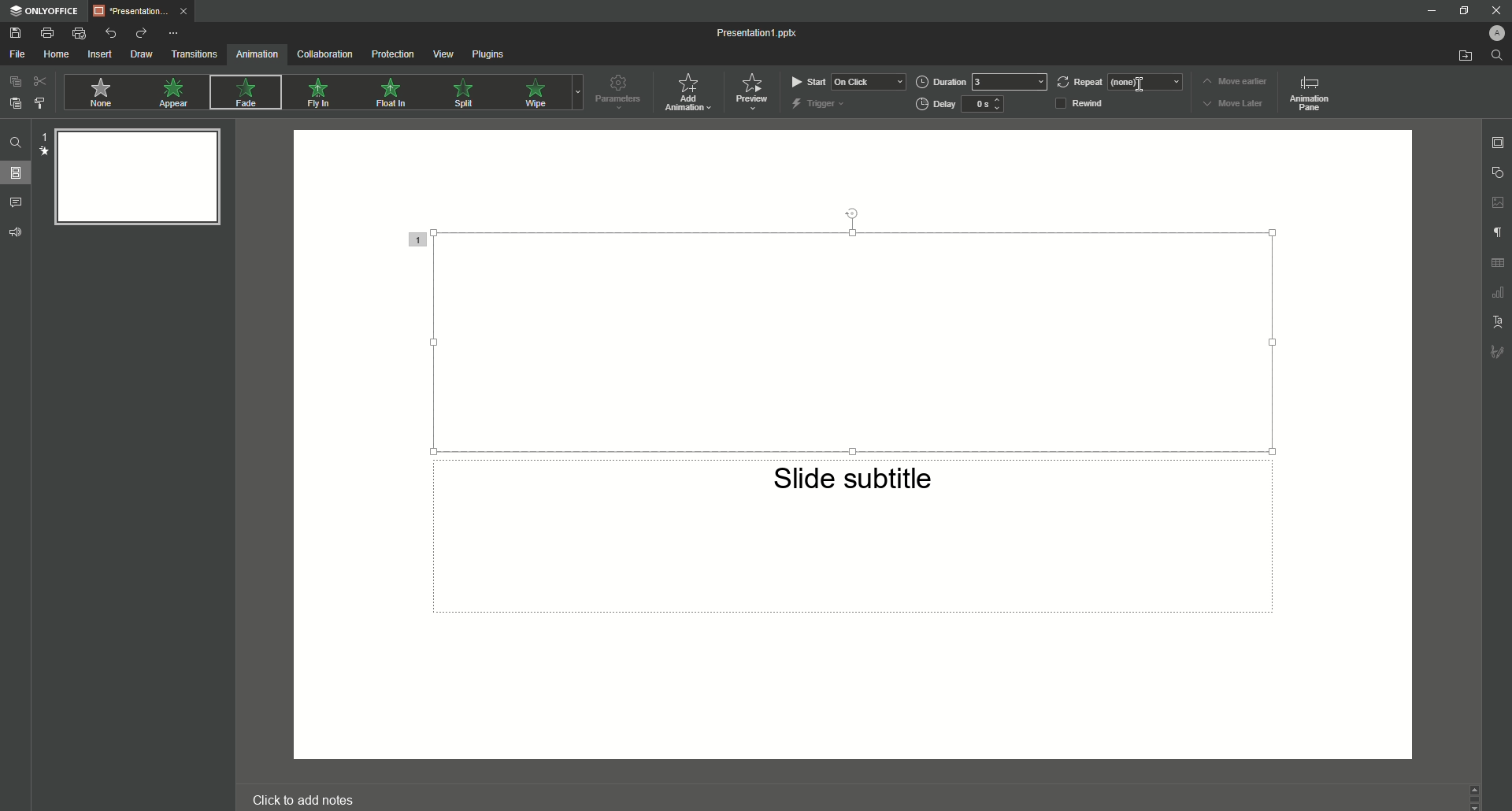  What do you see at coordinates (143, 54) in the screenshot?
I see `Draw` at bounding box center [143, 54].